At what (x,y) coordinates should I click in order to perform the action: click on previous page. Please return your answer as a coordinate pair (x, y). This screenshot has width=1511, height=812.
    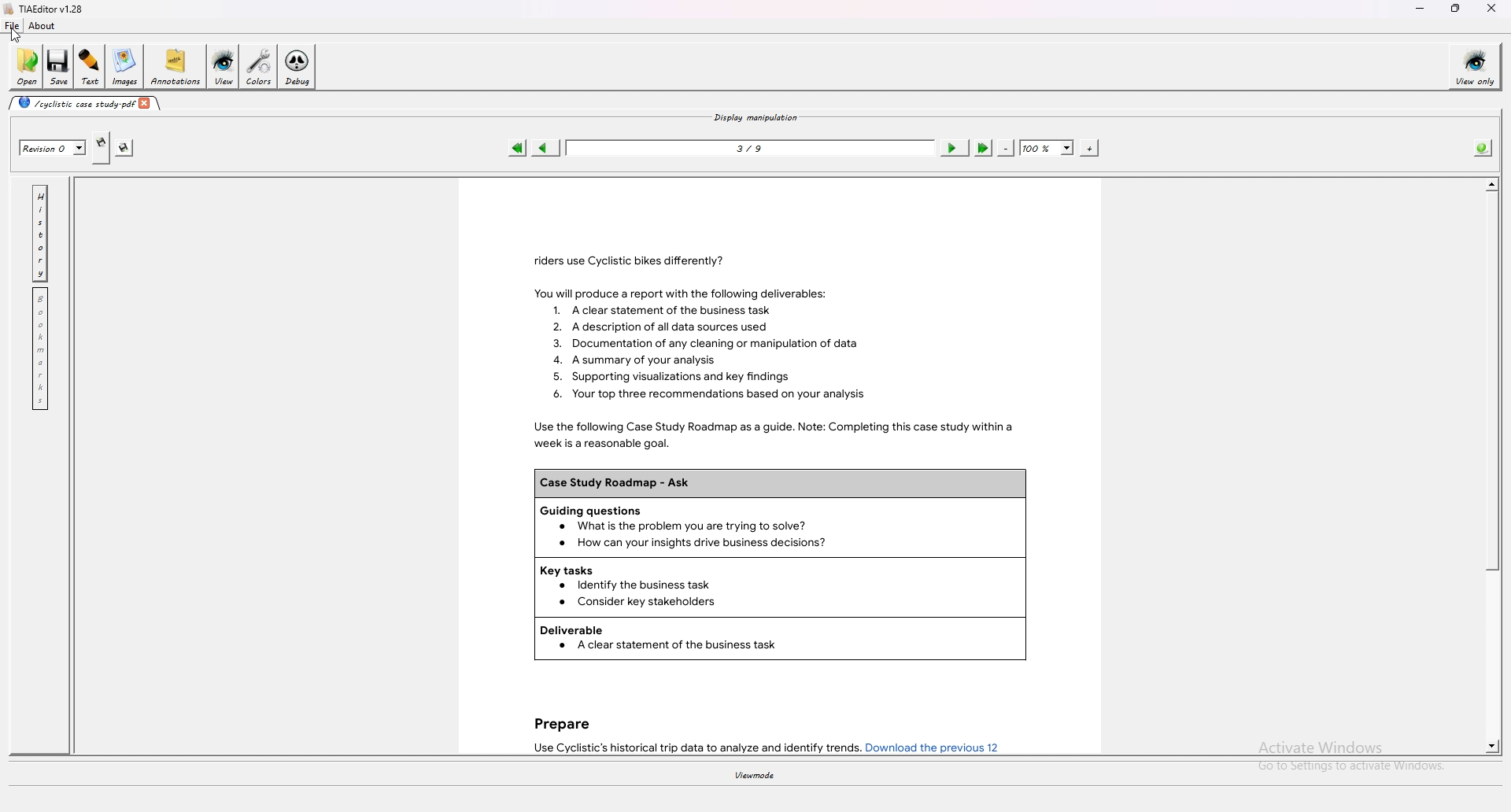
    Looking at the image, I should click on (545, 148).